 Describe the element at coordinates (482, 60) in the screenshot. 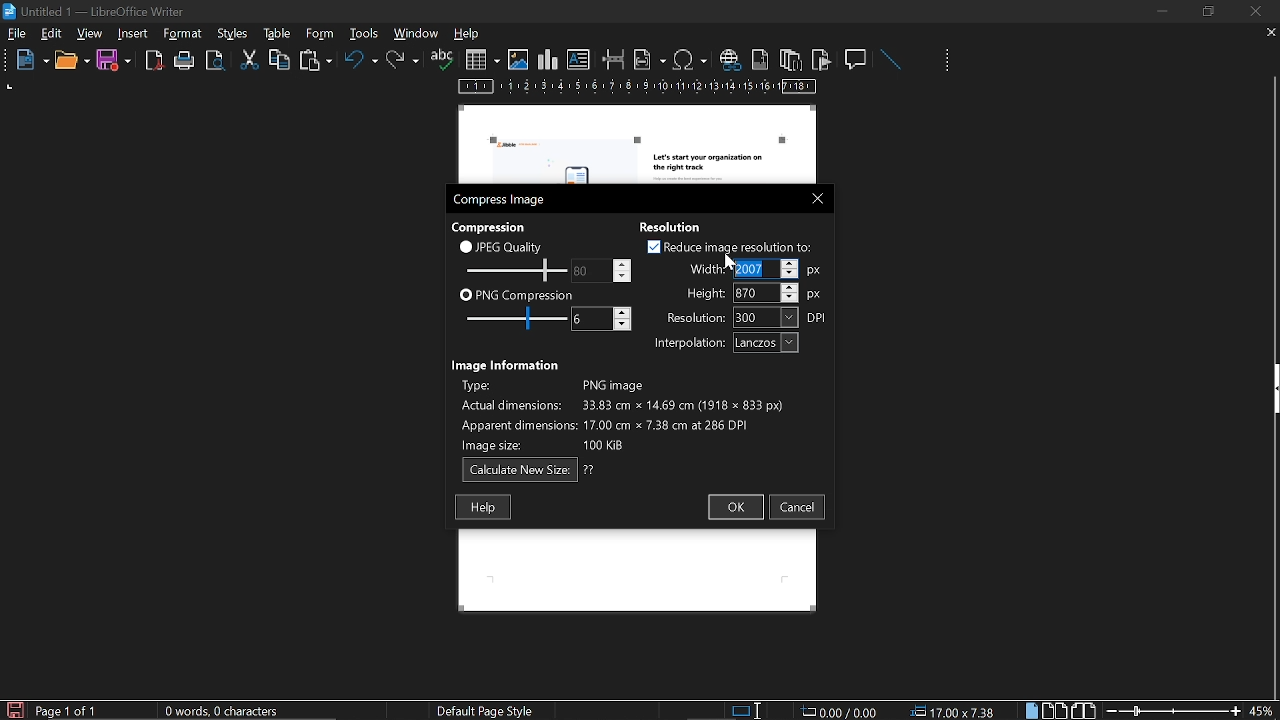

I see `insert table` at that location.